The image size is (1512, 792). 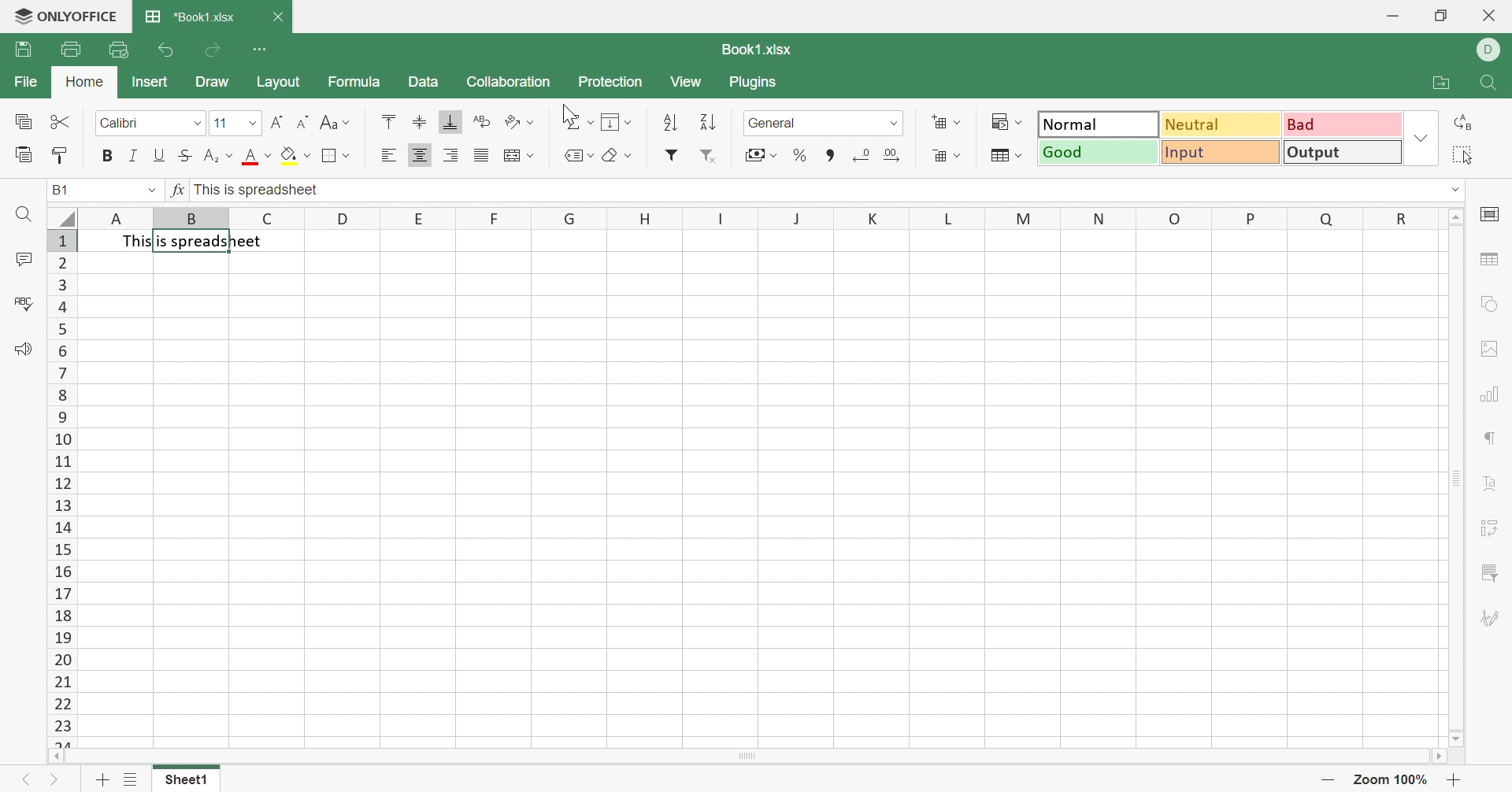 What do you see at coordinates (1489, 16) in the screenshot?
I see `Close` at bounding box center [1489, 16].